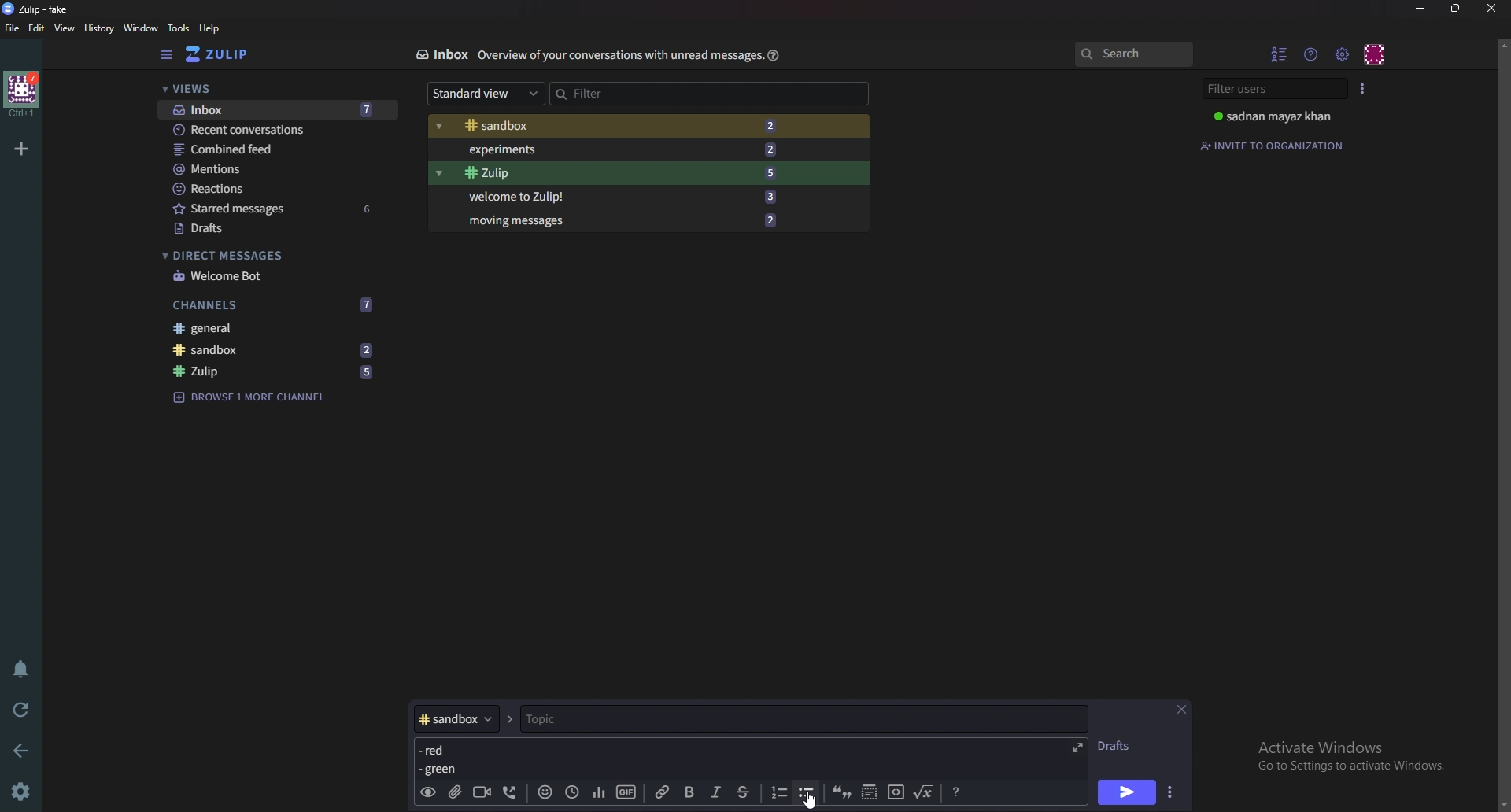 Image resolution: width=1511 pixels, height=812 pixels. Describe the element at coordinates (20, 793) in the screenshot. I see `Settings` at that location.